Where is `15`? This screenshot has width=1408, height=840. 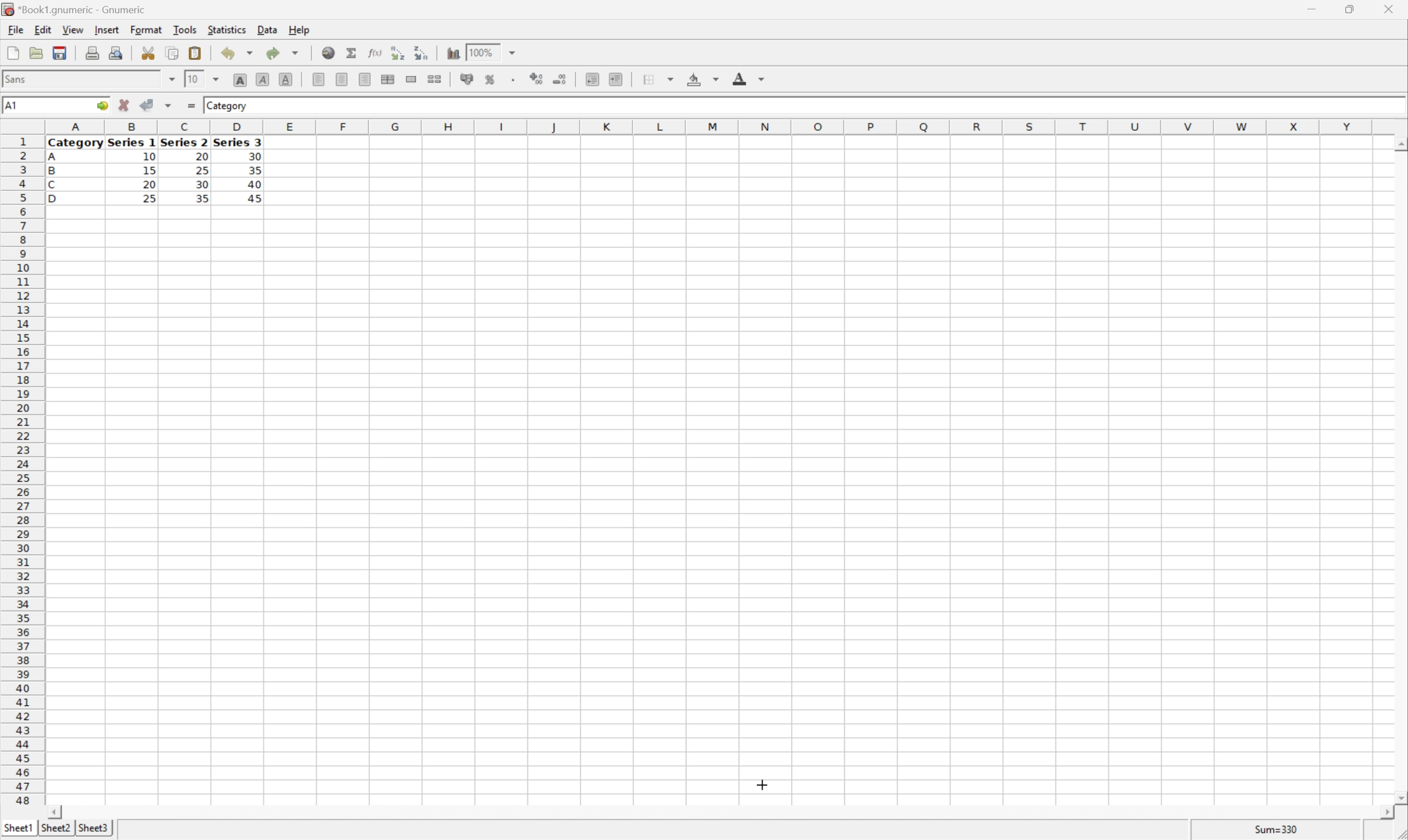
15 is located at coordinates (149, 170).